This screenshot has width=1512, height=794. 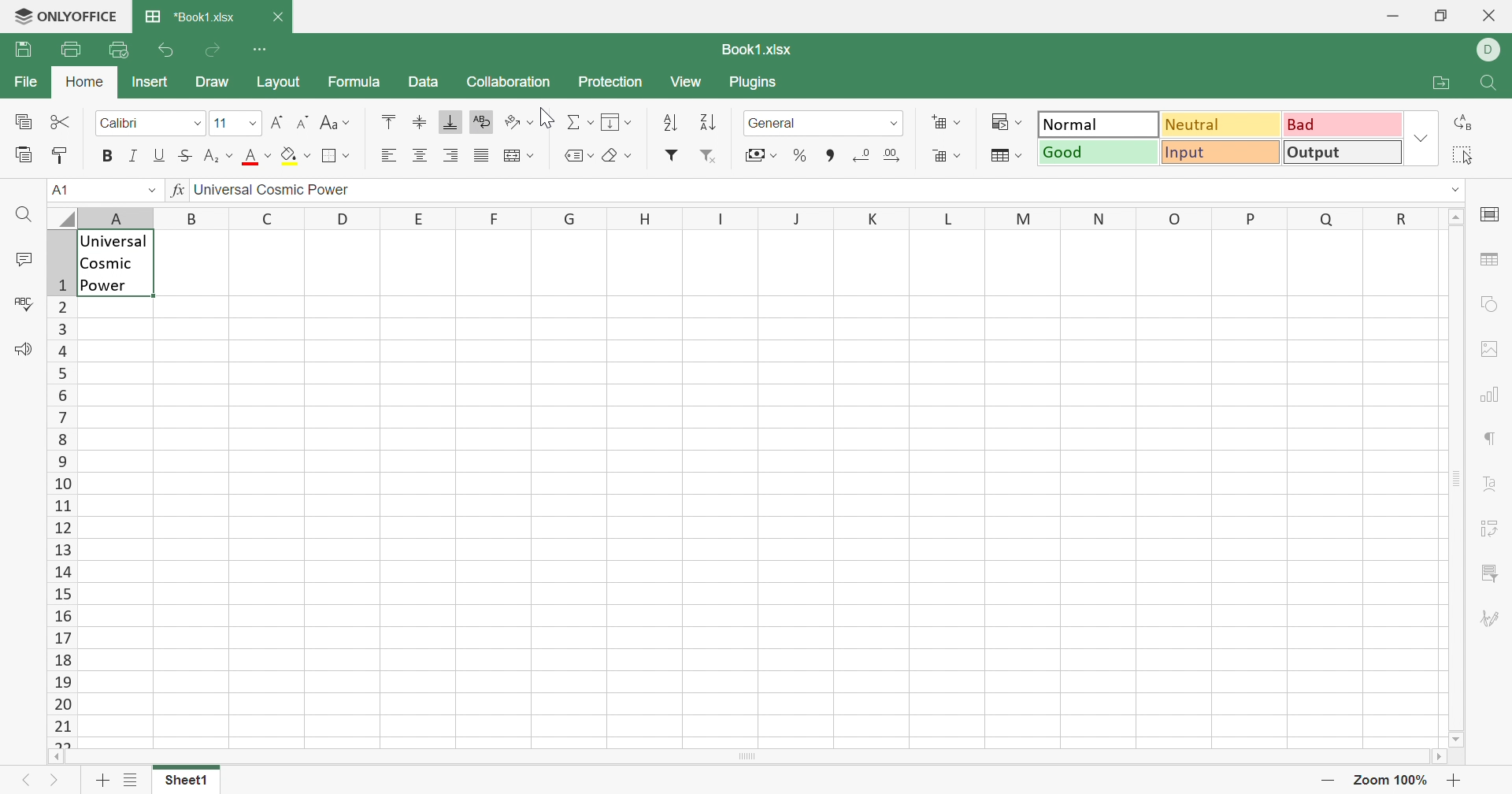 What do you see at coordinates (60, 756) in the screenshot?
I see `Scroll Left` at bounding box center [60, 756].